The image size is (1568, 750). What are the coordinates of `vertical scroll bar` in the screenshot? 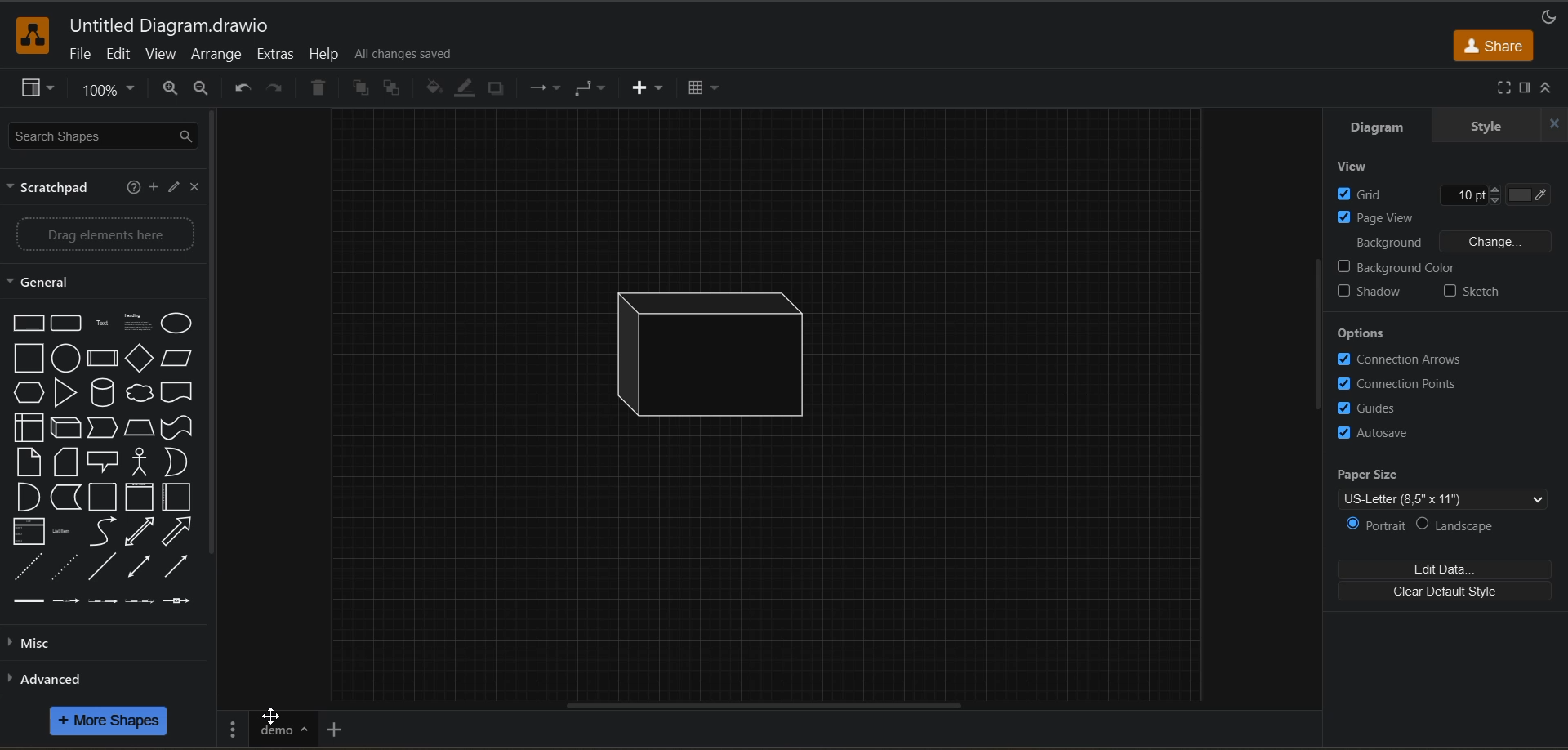 It's located at (1316, 336).